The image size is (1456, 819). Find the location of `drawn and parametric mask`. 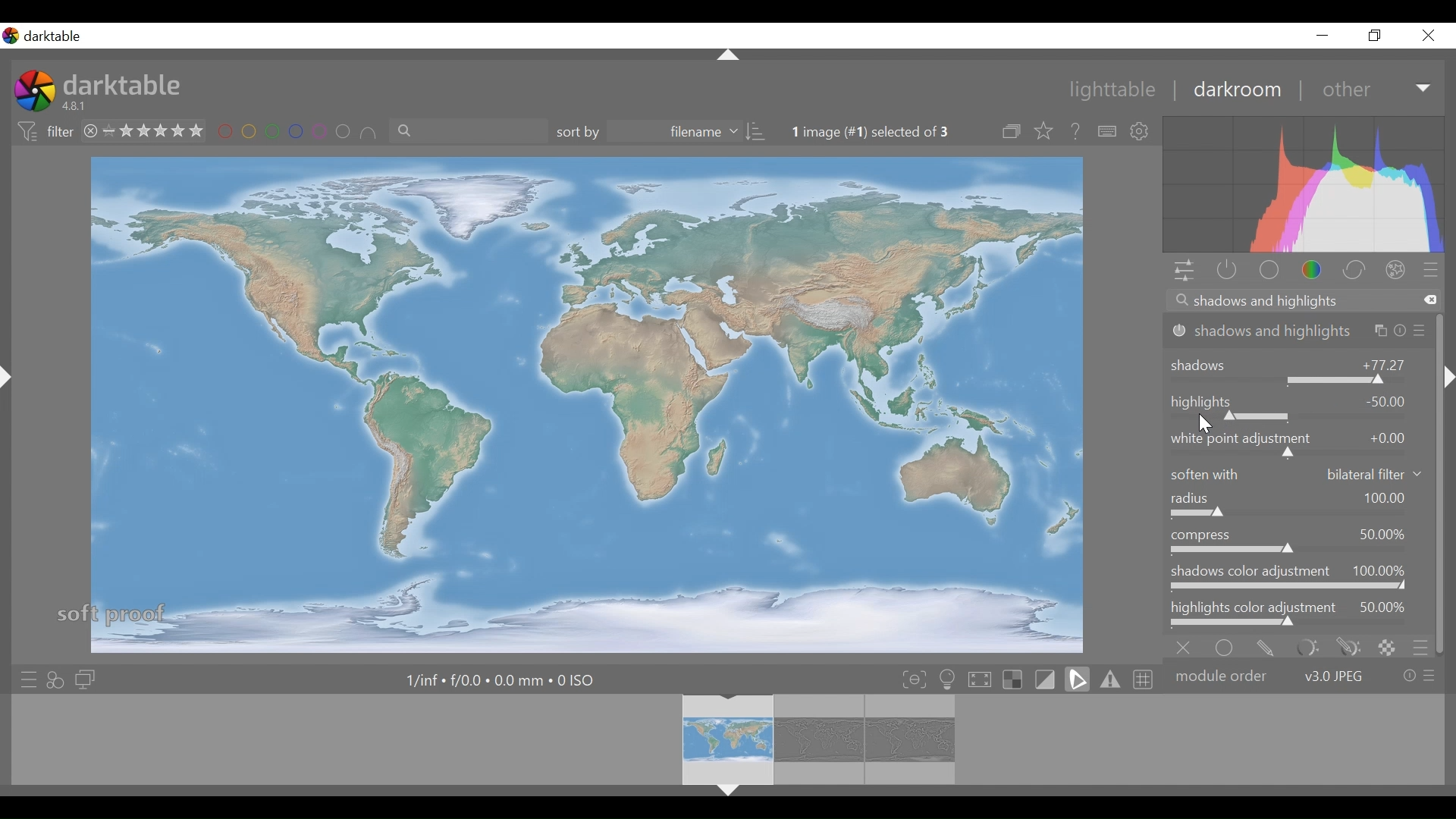

drawn and parametric mask is located at coordinates (1345, 646).